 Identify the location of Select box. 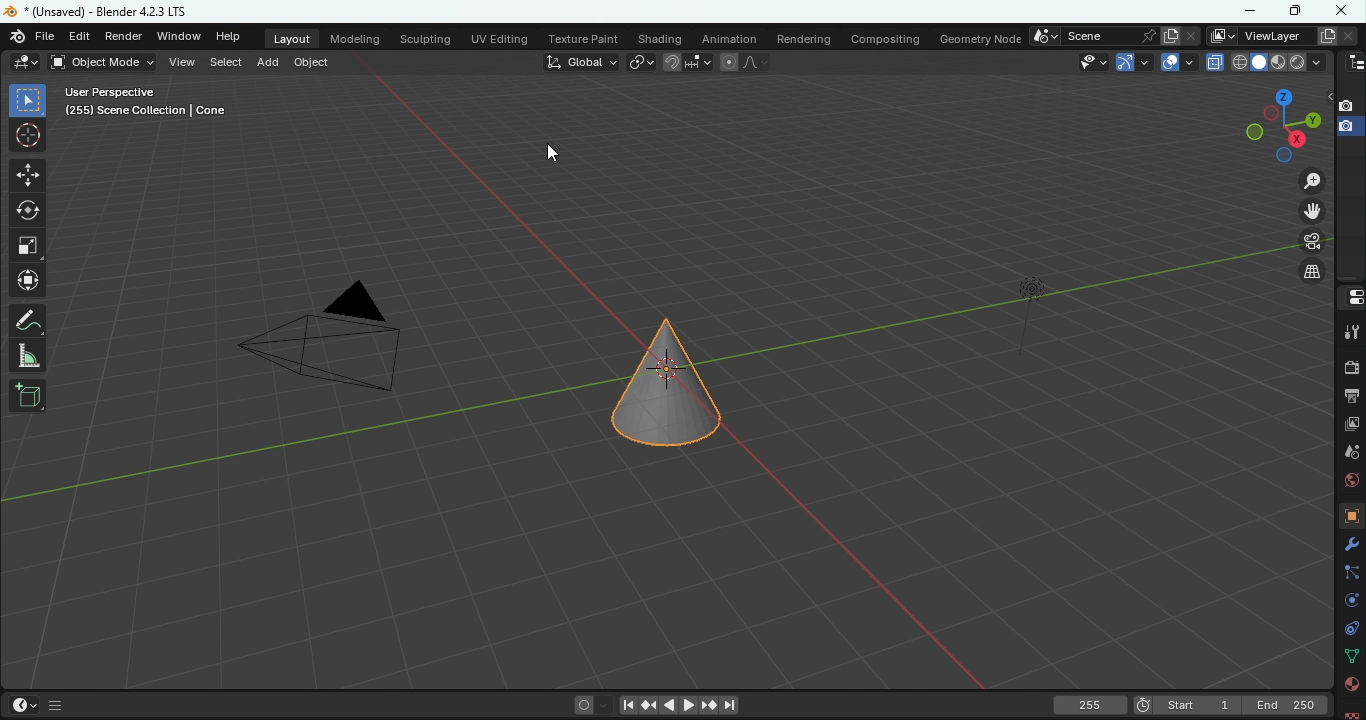
(28, 100).